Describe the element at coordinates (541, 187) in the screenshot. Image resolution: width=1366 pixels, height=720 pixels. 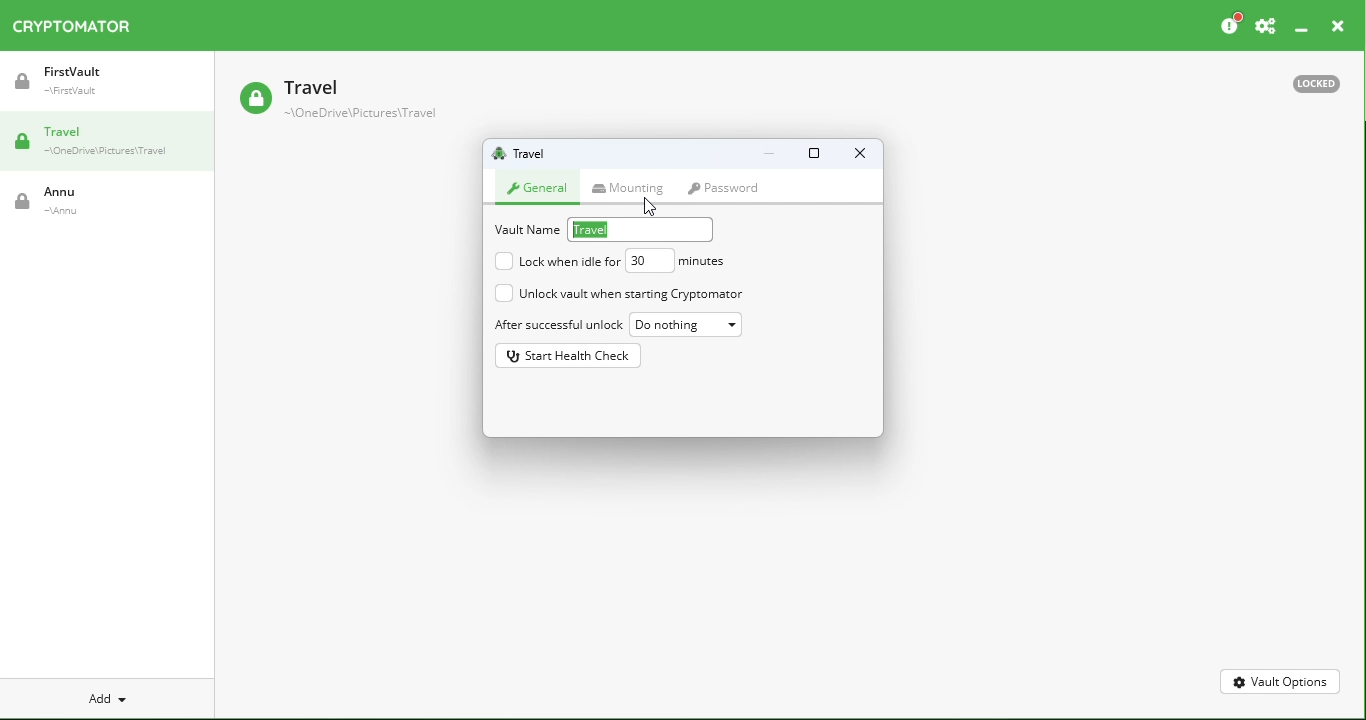
I see `General` at that location.